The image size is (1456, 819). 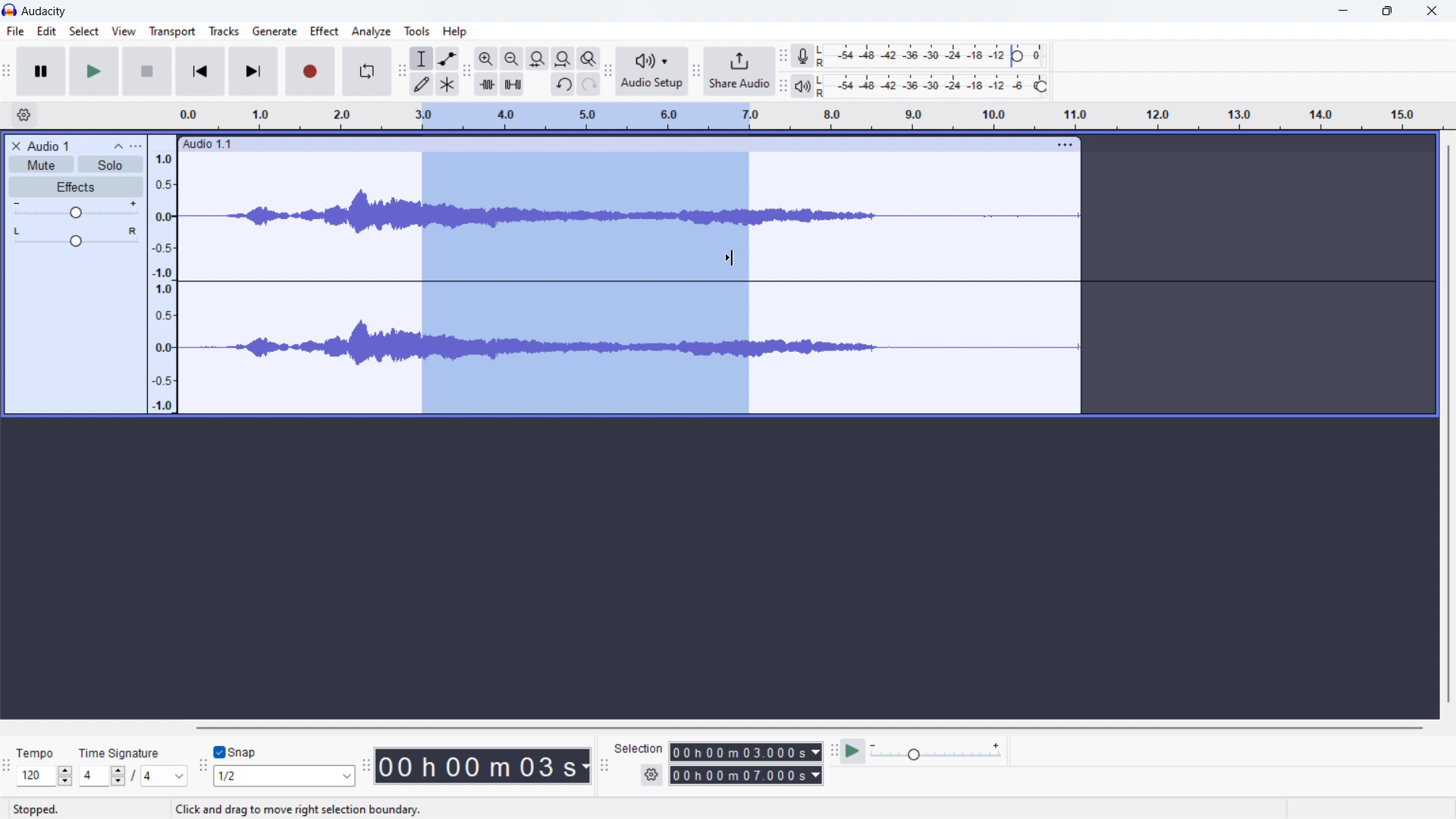 I want to click on settings, so click(x=23, y=116).